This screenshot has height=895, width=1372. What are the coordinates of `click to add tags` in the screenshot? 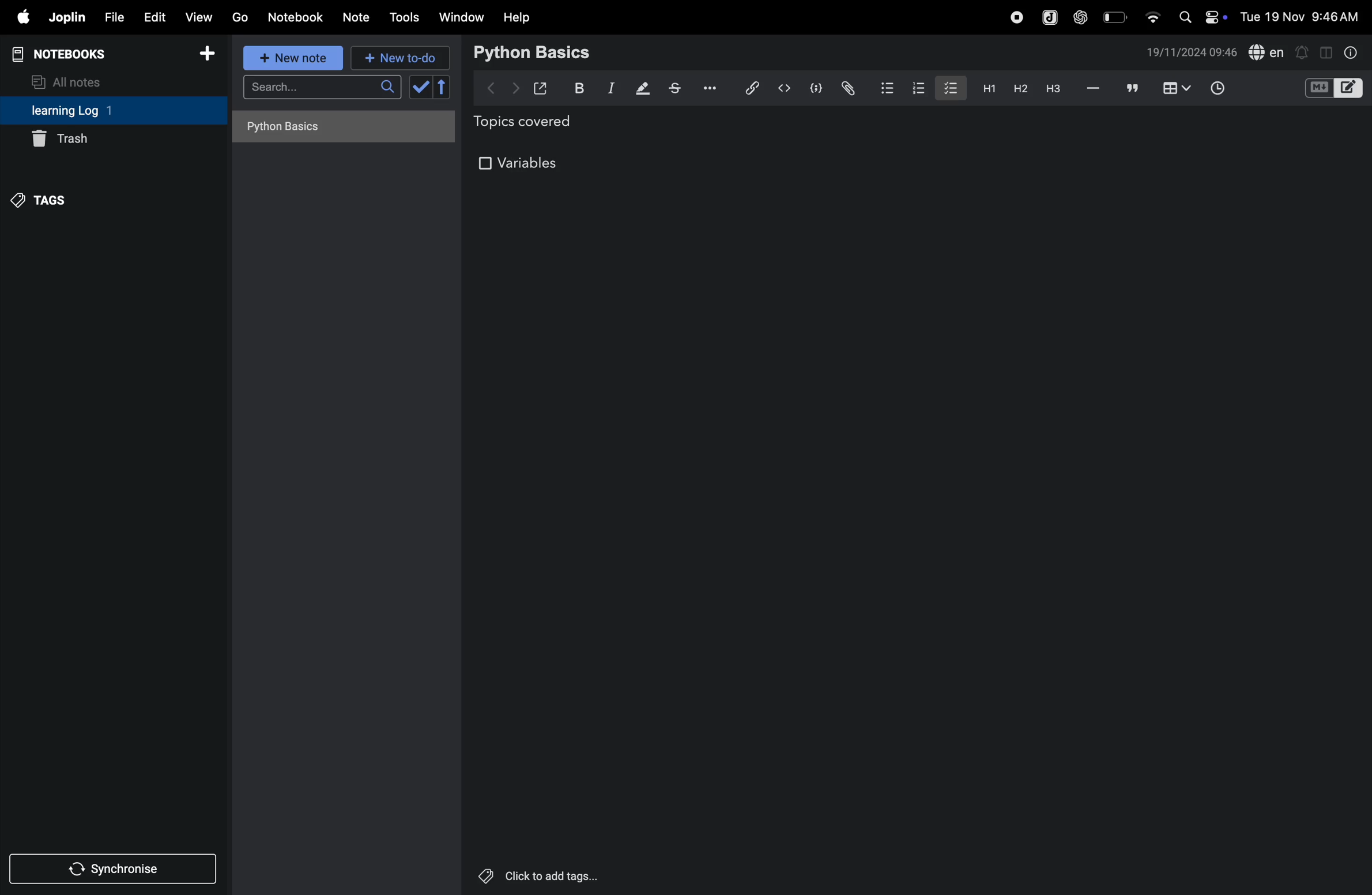 It's located at (534, 874).